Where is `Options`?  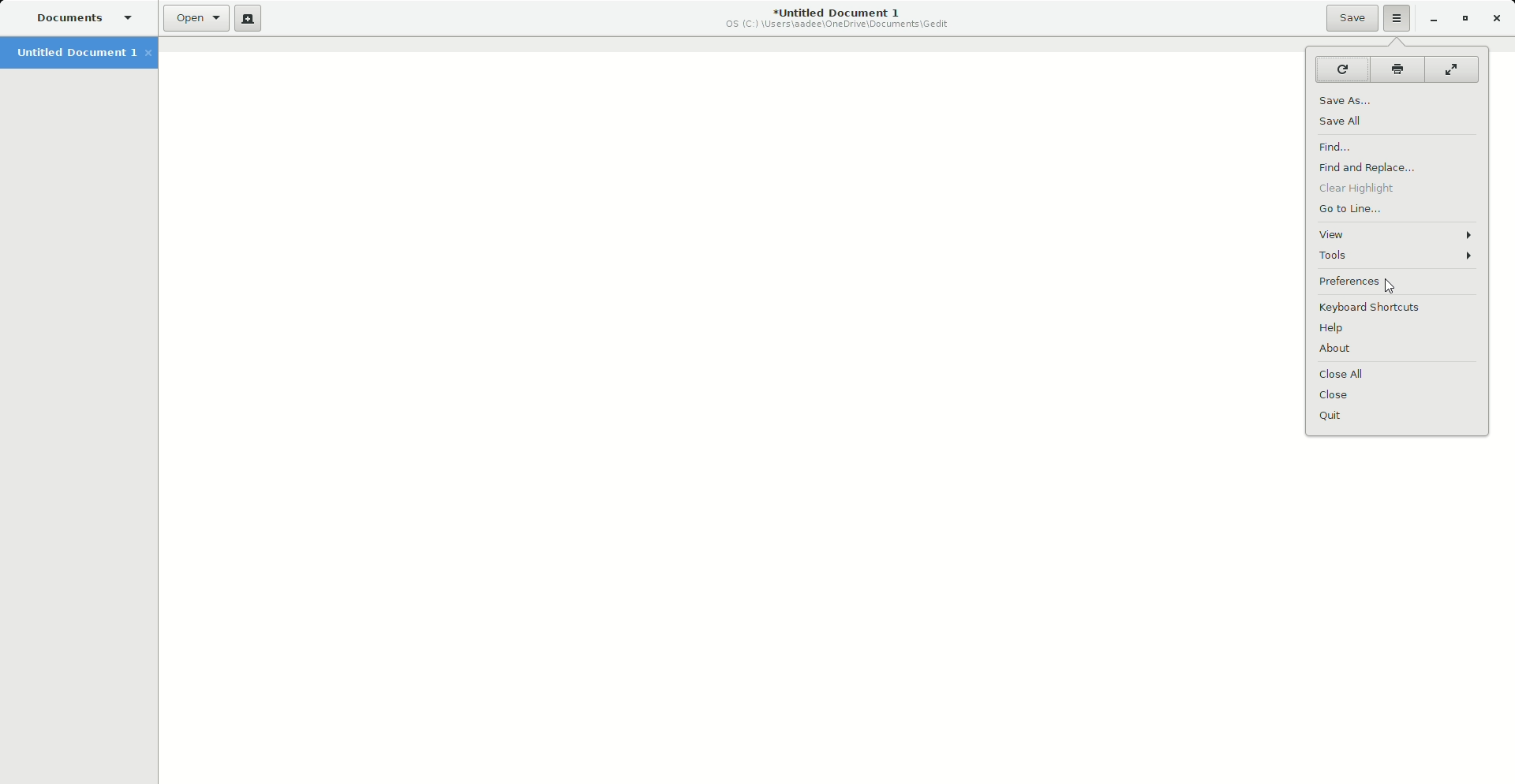
Options is located at coordinates (1393, 19).